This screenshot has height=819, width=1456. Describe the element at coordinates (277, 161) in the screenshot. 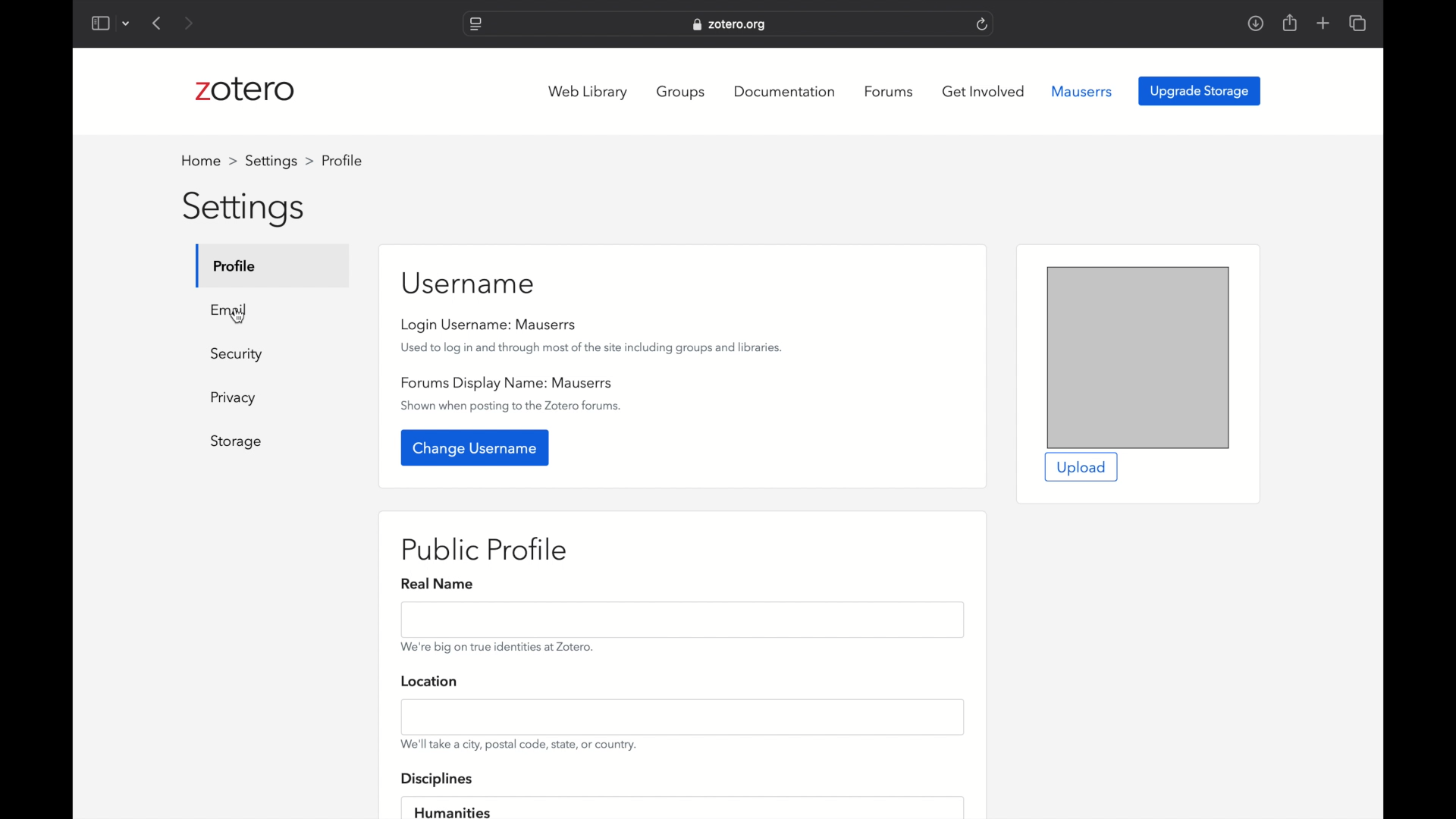

I see `settings` at that location.